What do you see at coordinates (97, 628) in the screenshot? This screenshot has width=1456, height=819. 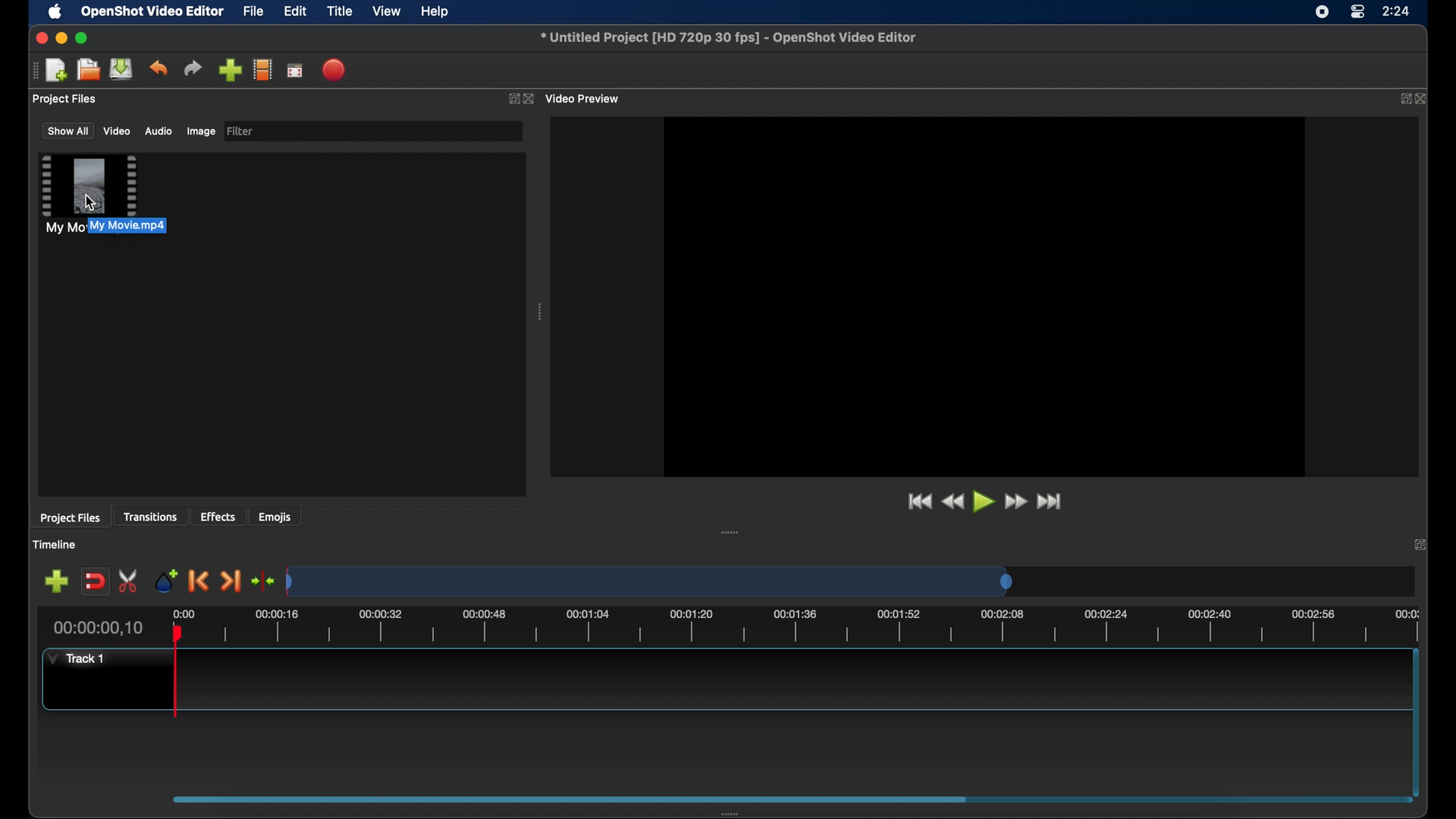 I see `current time indicator` at bounding box center [97, 628].